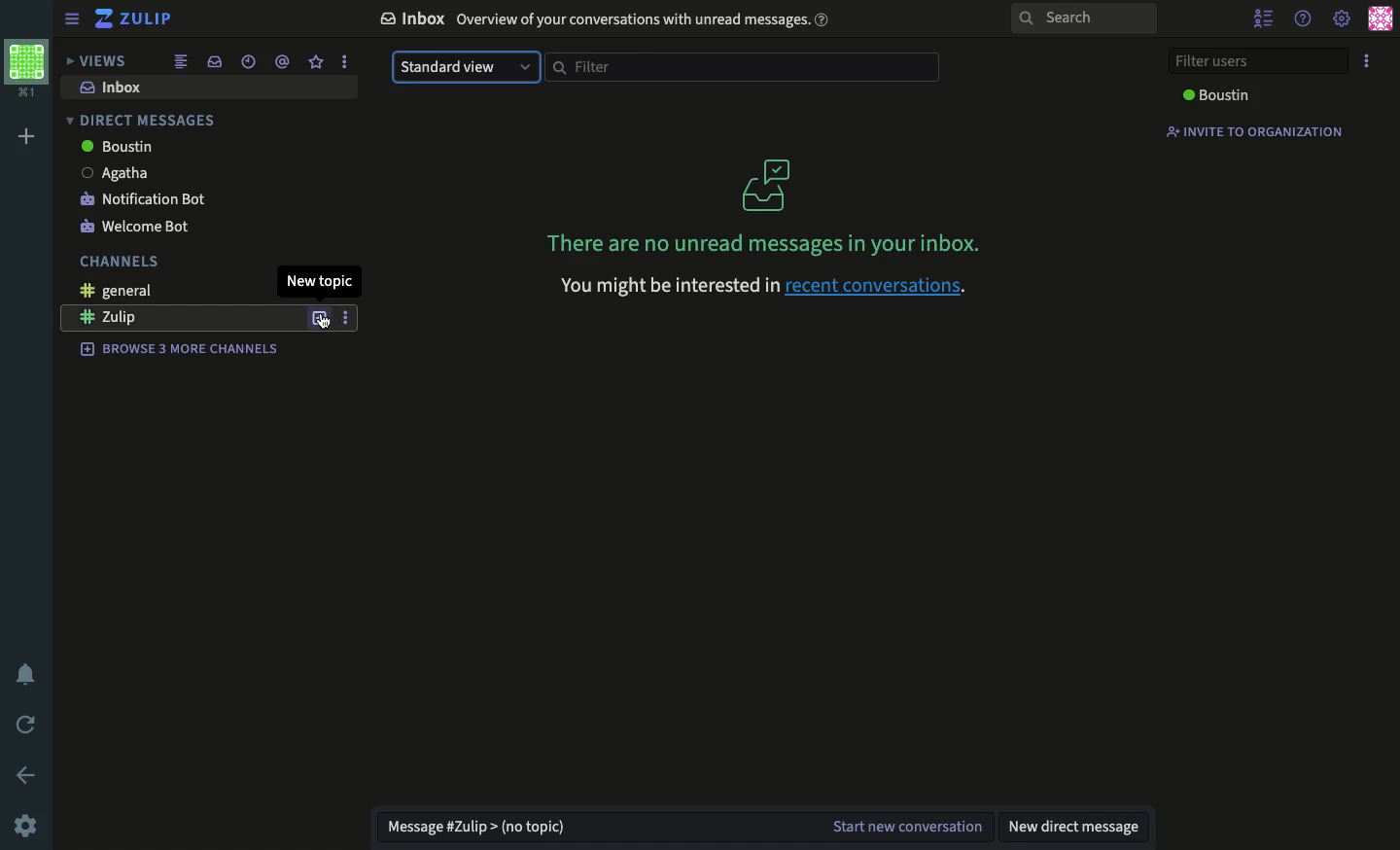 The width and height of the screenshot is (1400, 850). I want to click on Boustin, so click(114, 146).